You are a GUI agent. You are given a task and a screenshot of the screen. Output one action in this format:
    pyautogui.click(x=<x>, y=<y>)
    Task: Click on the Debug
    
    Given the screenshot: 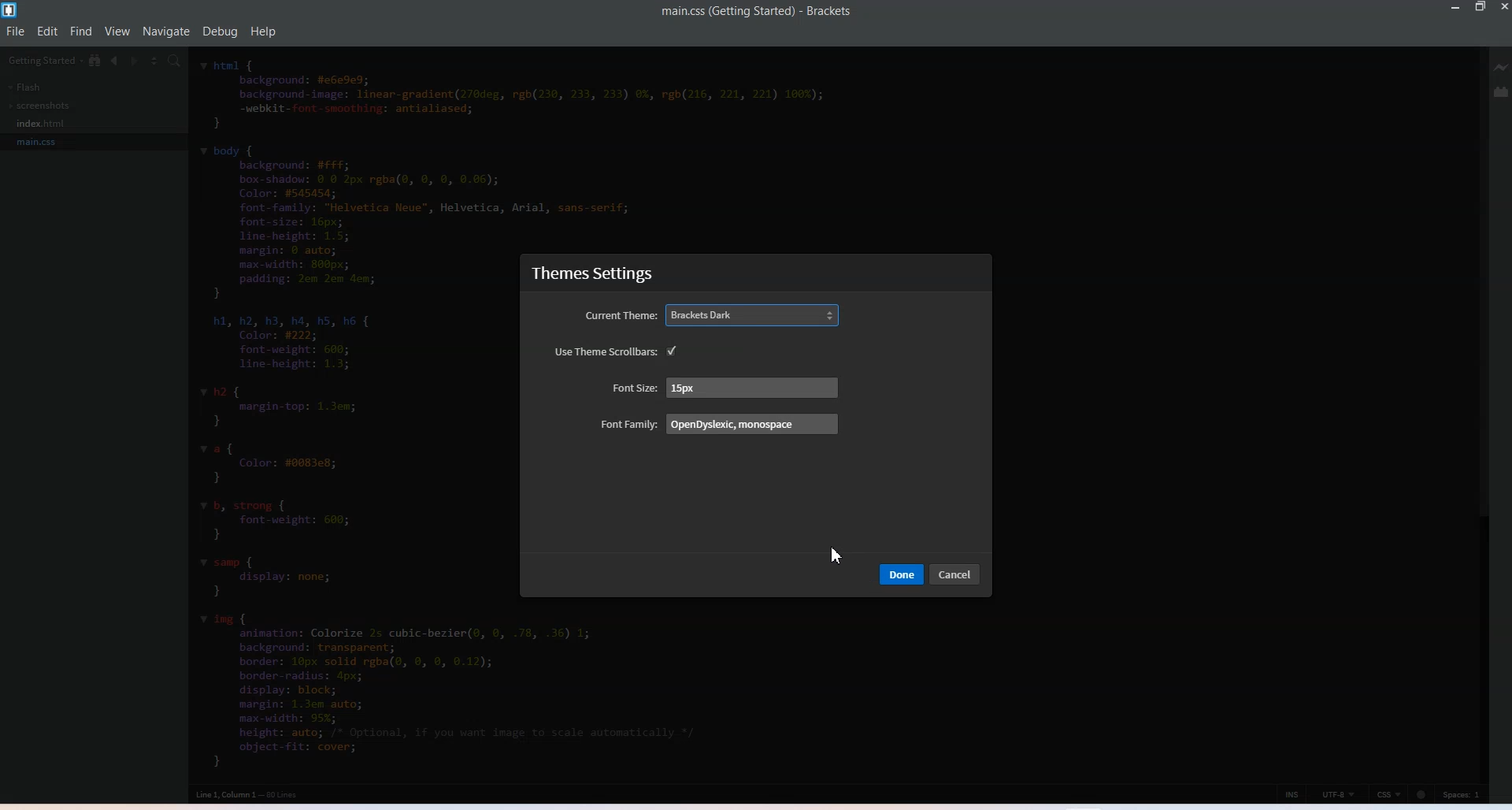 What is the action you would take?
    pyautogui.click(x=220, y=32)
    